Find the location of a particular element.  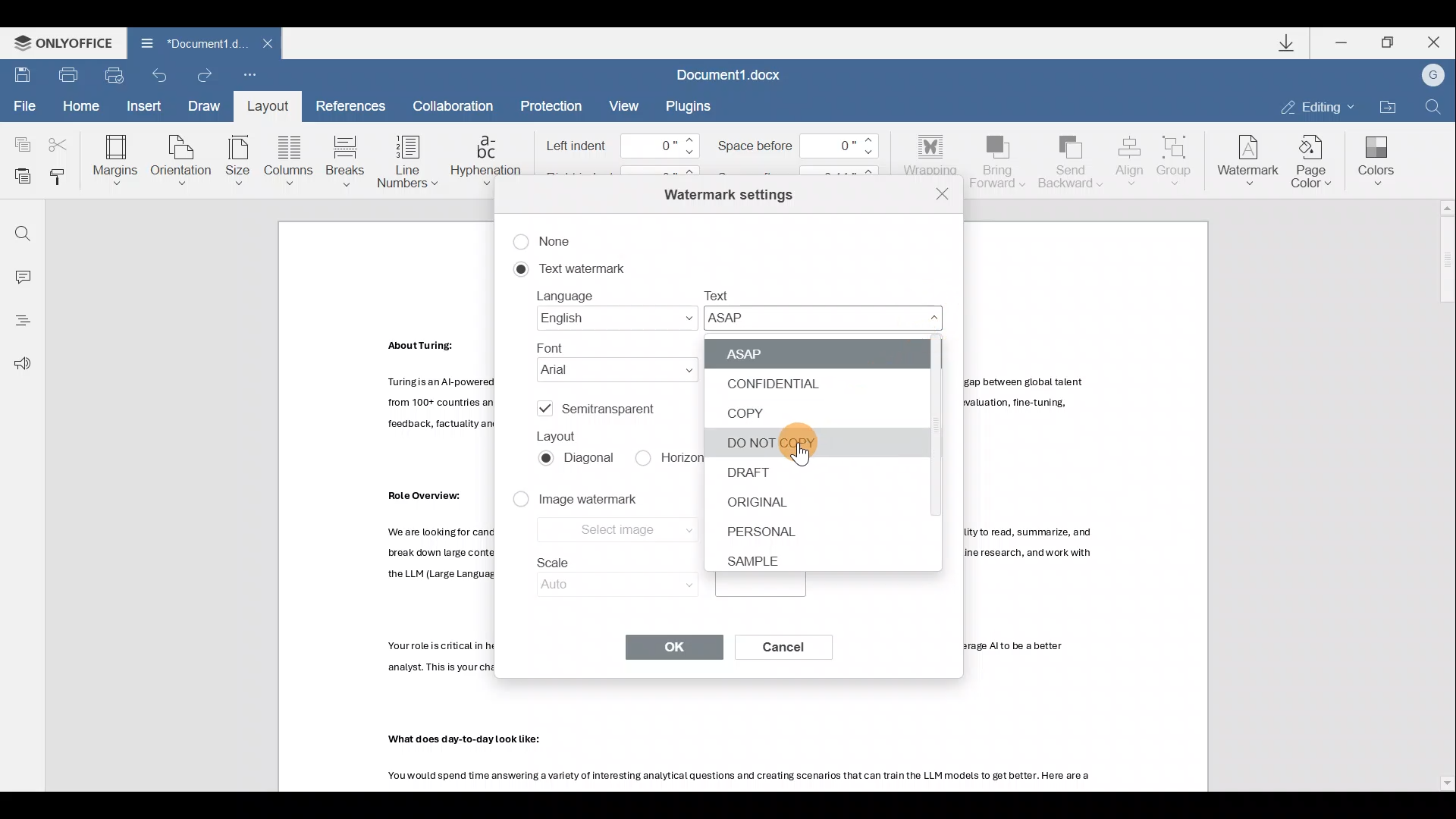

SAMPLE is located at coordinates (748, 561).